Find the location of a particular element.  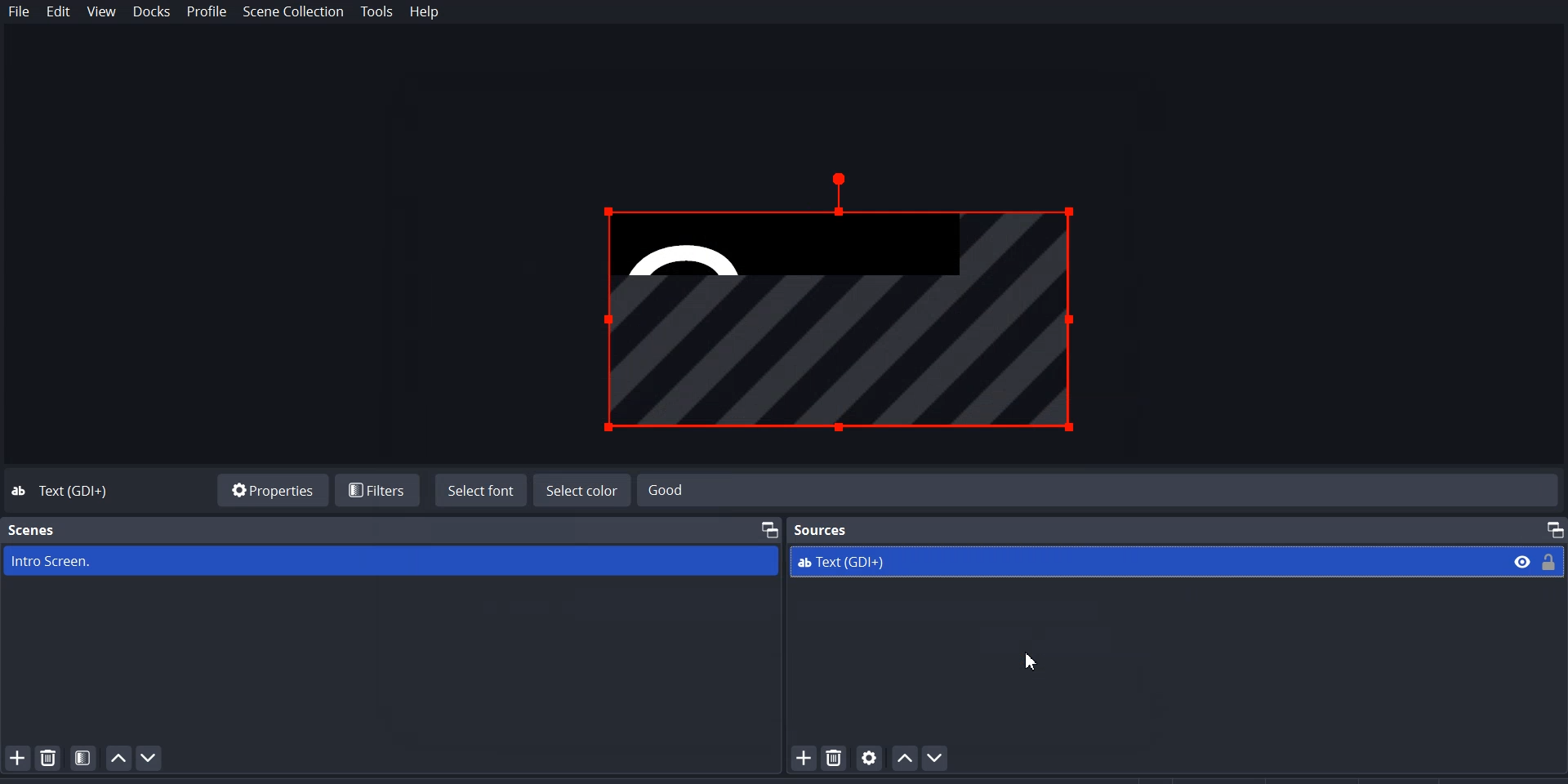

File Preview window is located at coordinates (847, 305).